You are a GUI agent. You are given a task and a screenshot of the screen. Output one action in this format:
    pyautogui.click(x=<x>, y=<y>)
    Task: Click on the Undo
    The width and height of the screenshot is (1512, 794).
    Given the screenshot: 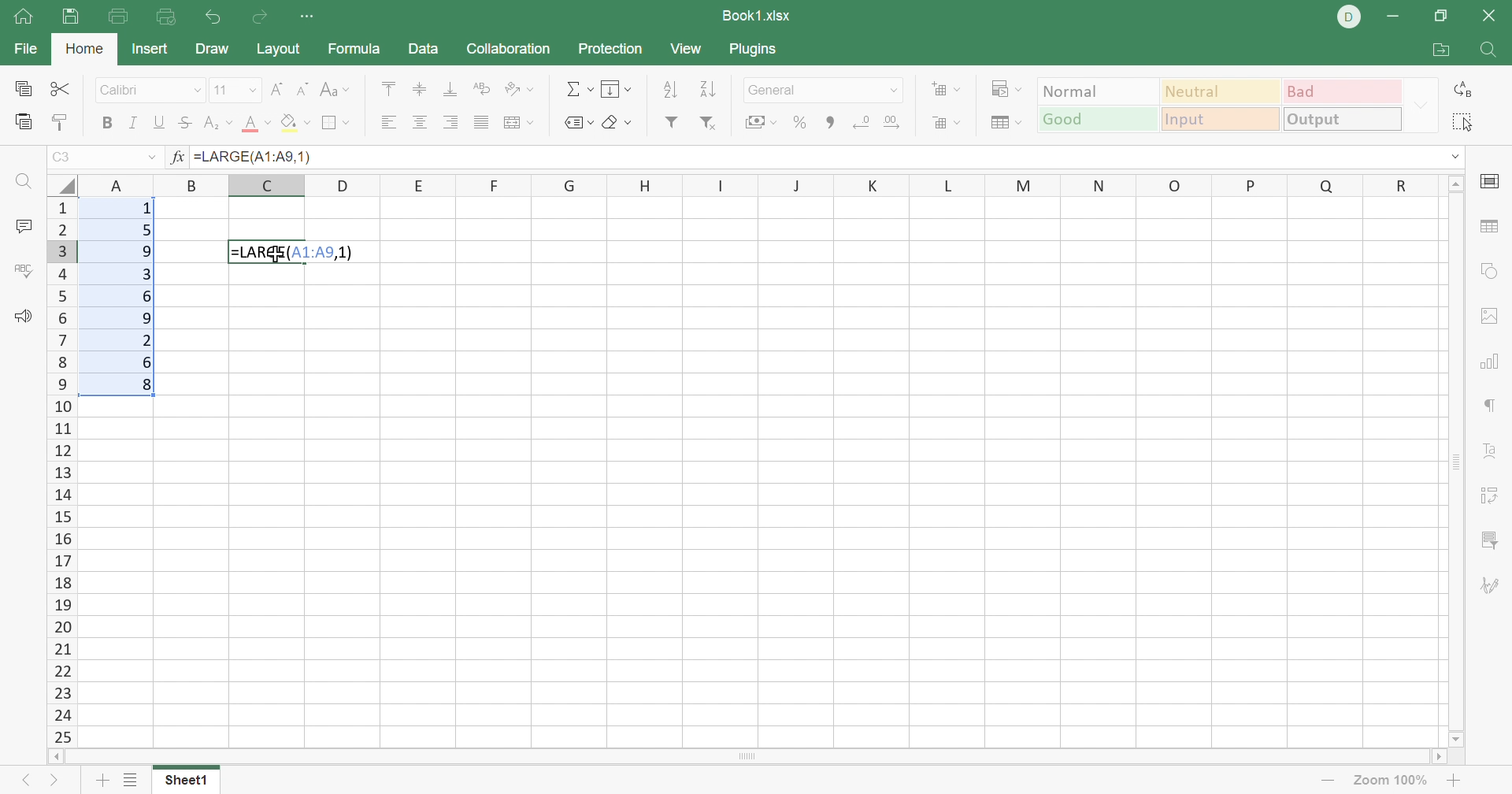 What is the action you would take?
    pyautogui.click(x=211, y=16)
    